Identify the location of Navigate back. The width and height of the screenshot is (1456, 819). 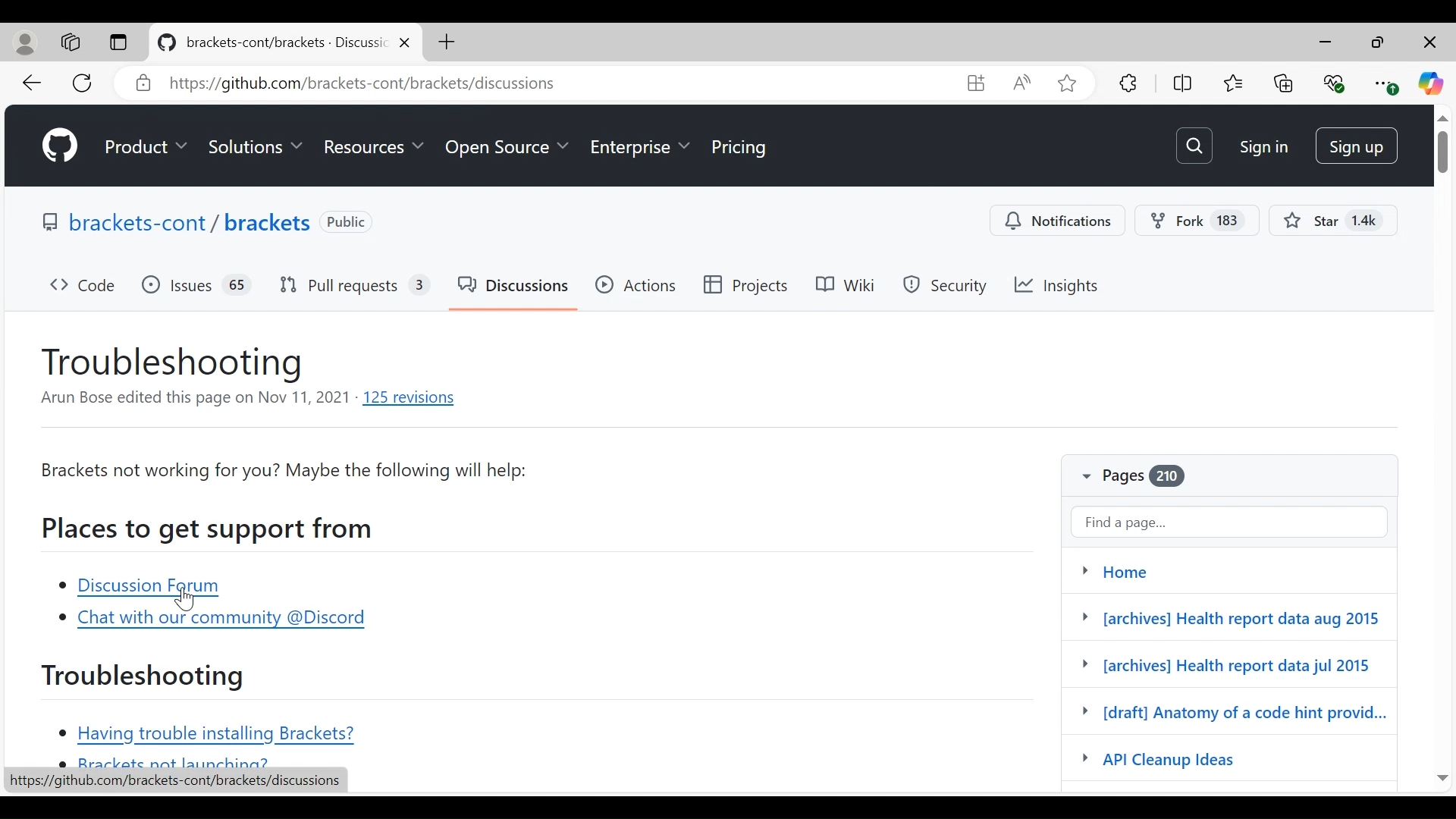
(34, 83).